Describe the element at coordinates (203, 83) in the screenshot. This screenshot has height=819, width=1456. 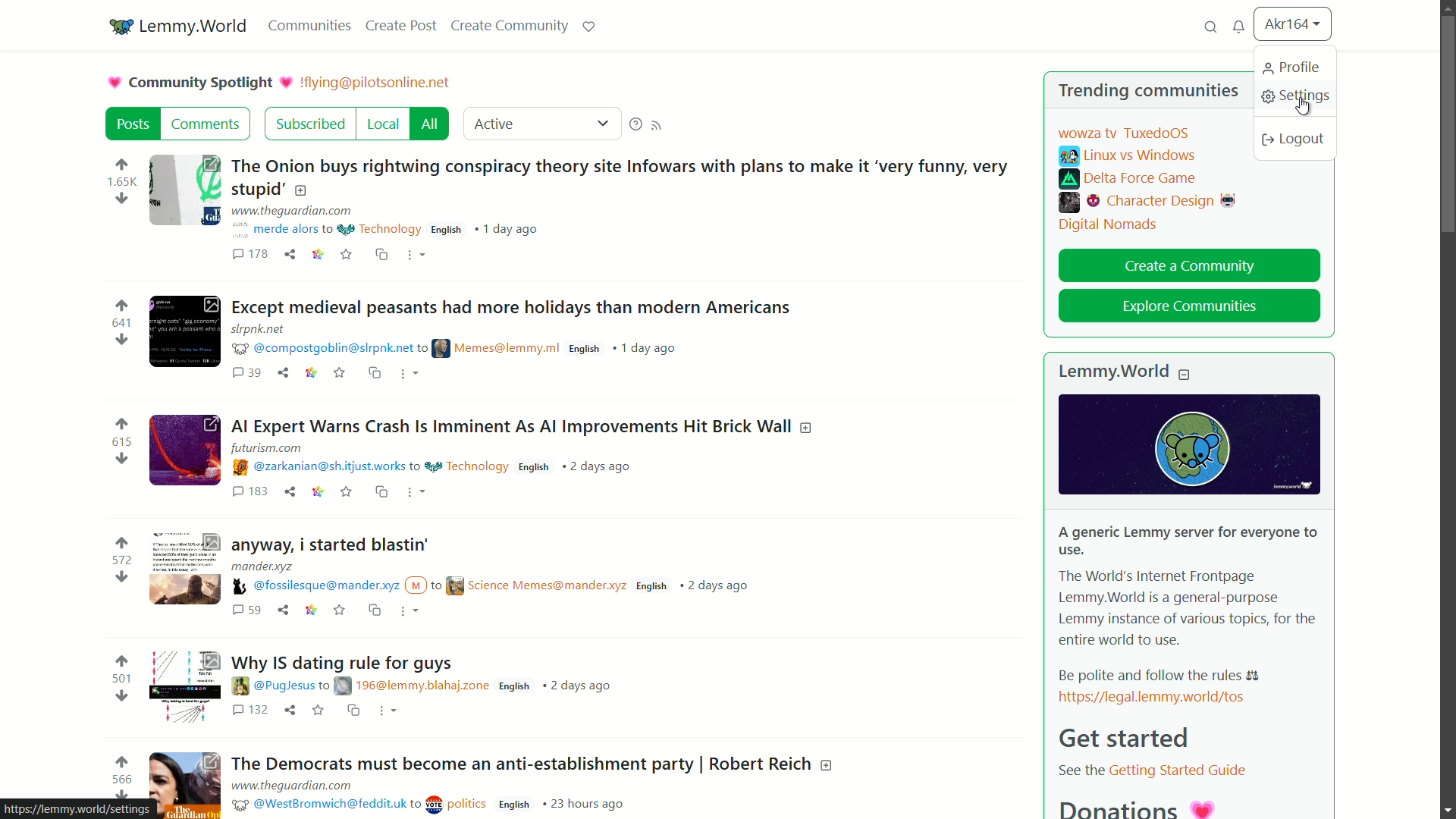
I see `community spotlight` at that location.